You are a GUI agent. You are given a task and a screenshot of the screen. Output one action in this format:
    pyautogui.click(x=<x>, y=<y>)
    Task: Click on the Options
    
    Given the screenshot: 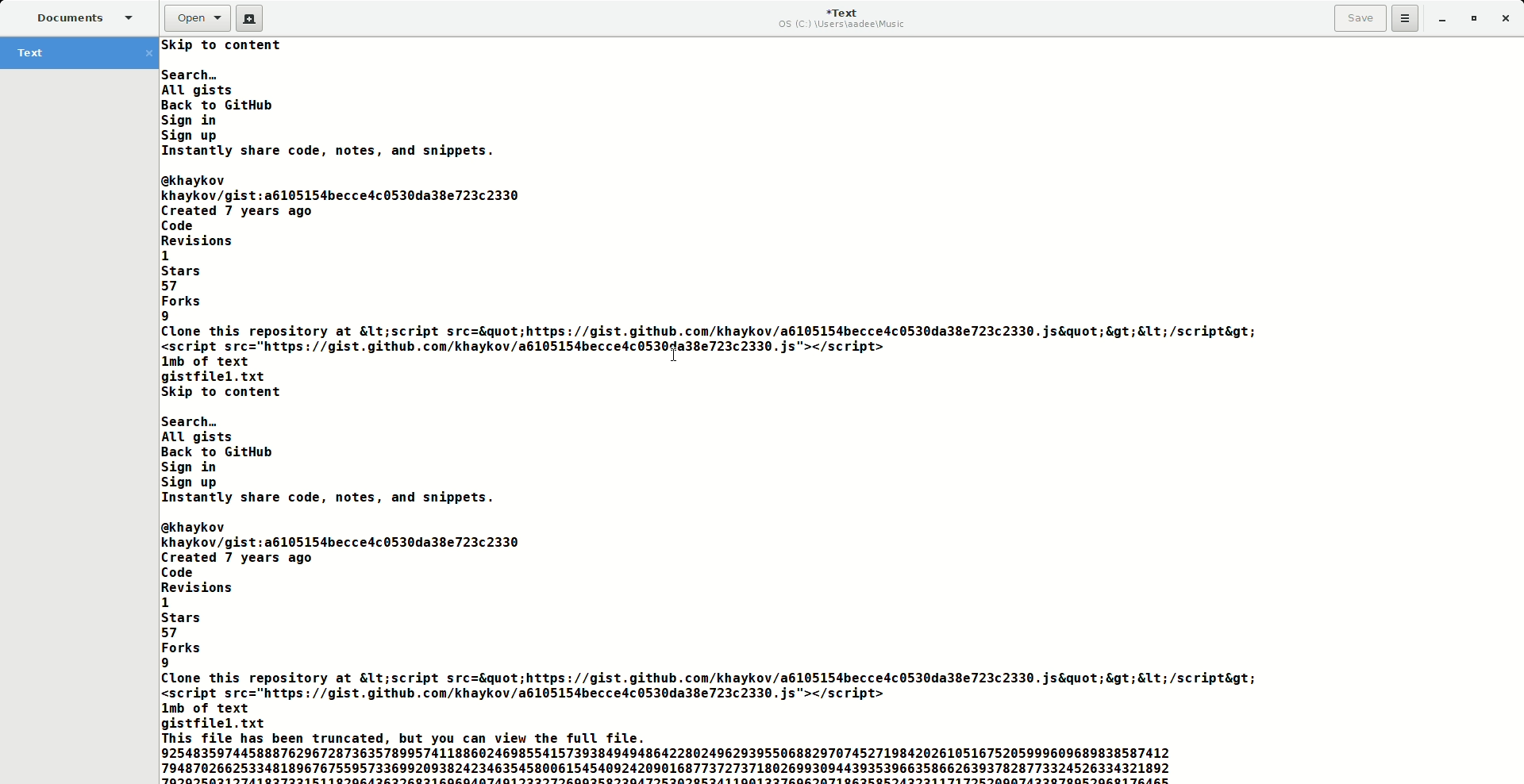 What is the action you would take?
    pyautogui.click(x=1410, y=18)
    